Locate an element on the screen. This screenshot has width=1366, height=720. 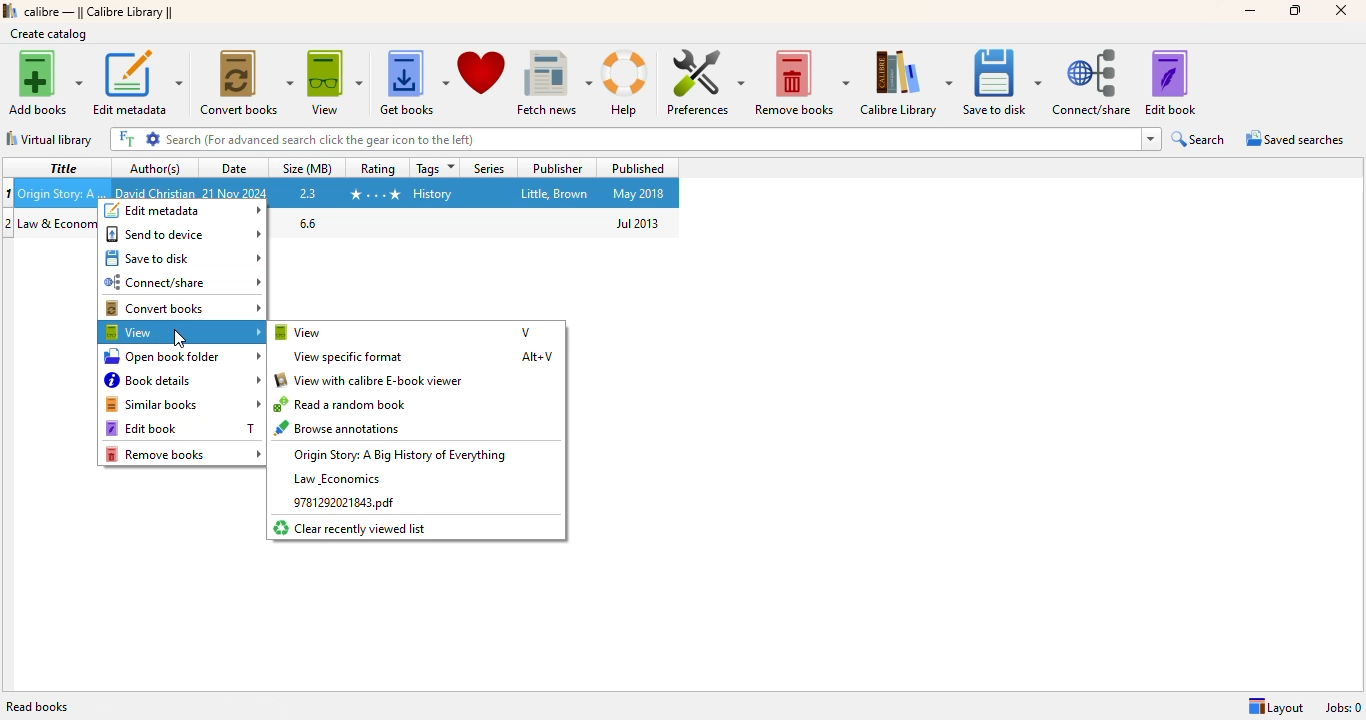
remove books is located at coordinates (183, 454).